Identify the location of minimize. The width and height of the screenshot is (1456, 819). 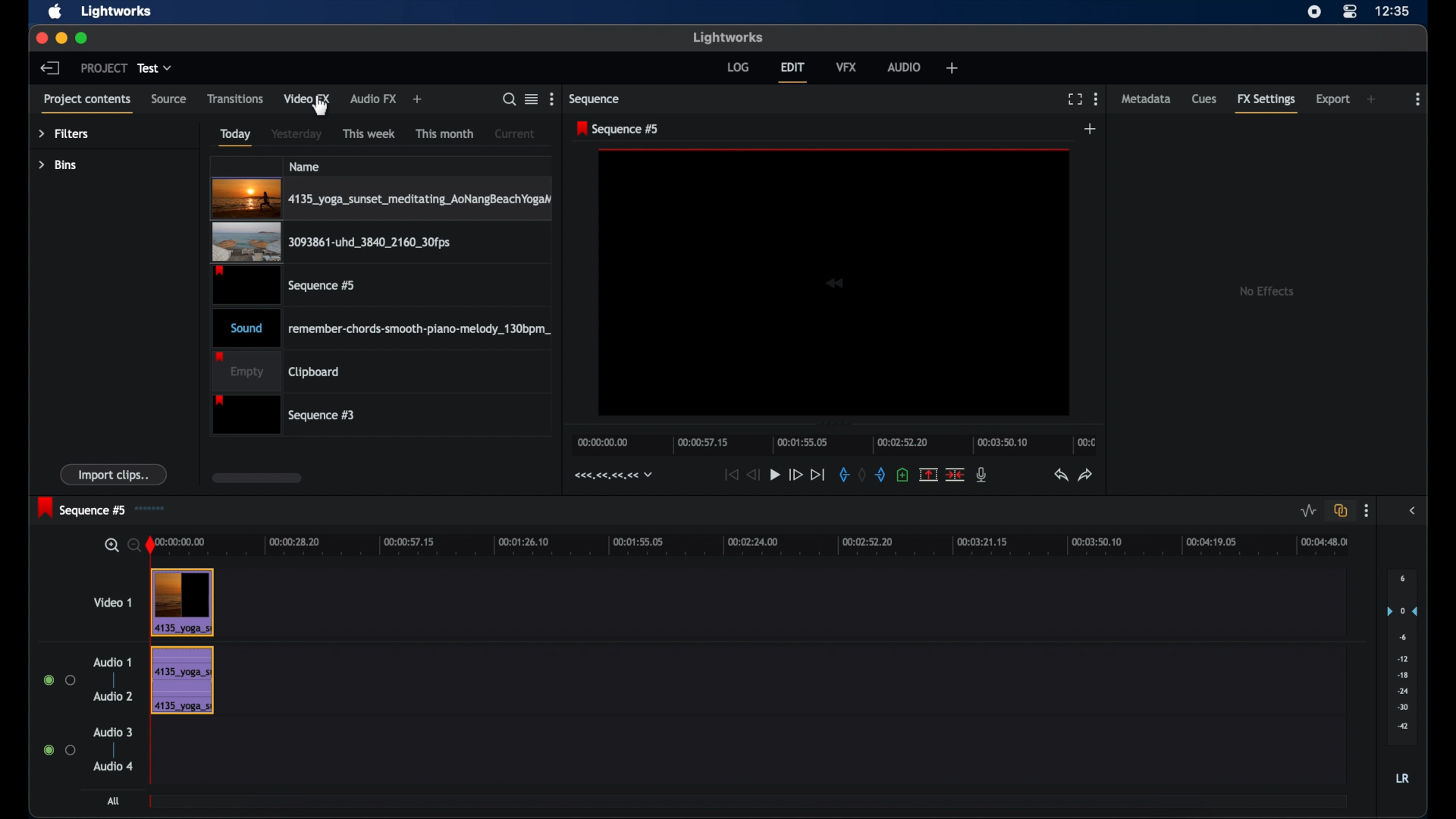
(61, 38).